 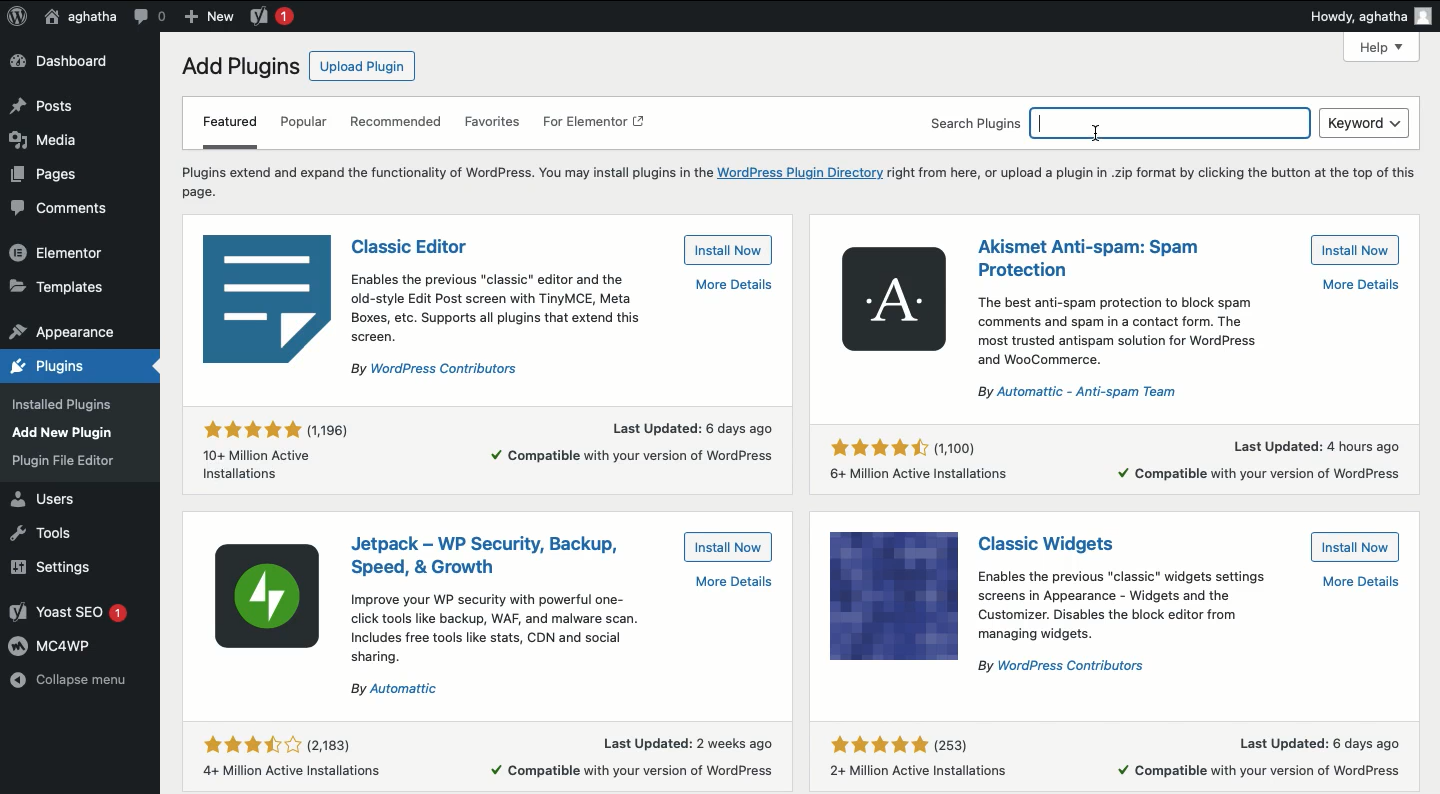 What do you see at coordinates (1356, 548) in the screenshot?
I see `Install now` at bounding box center [1356, 548].